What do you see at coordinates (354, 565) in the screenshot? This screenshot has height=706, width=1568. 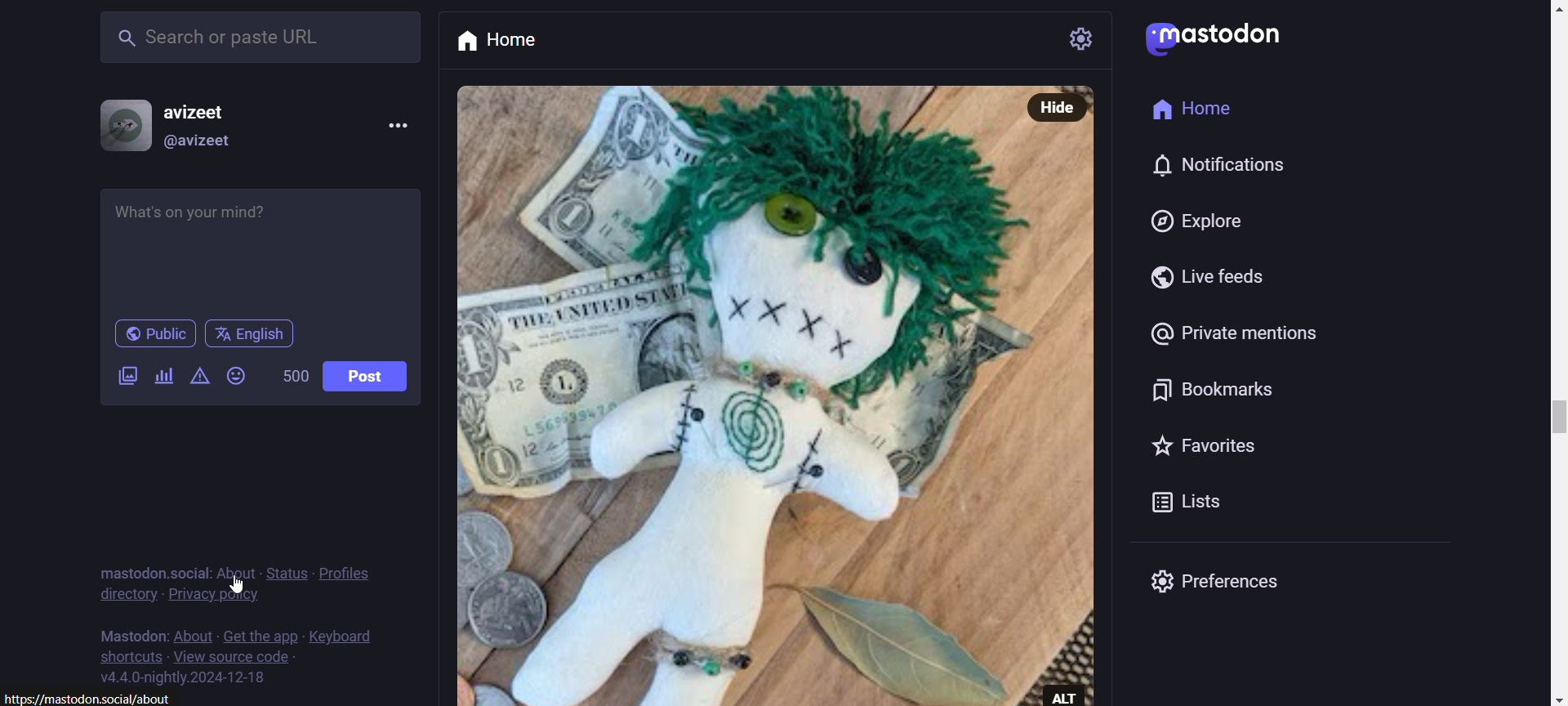 I see `policies ` at bounding box center [354, 565].